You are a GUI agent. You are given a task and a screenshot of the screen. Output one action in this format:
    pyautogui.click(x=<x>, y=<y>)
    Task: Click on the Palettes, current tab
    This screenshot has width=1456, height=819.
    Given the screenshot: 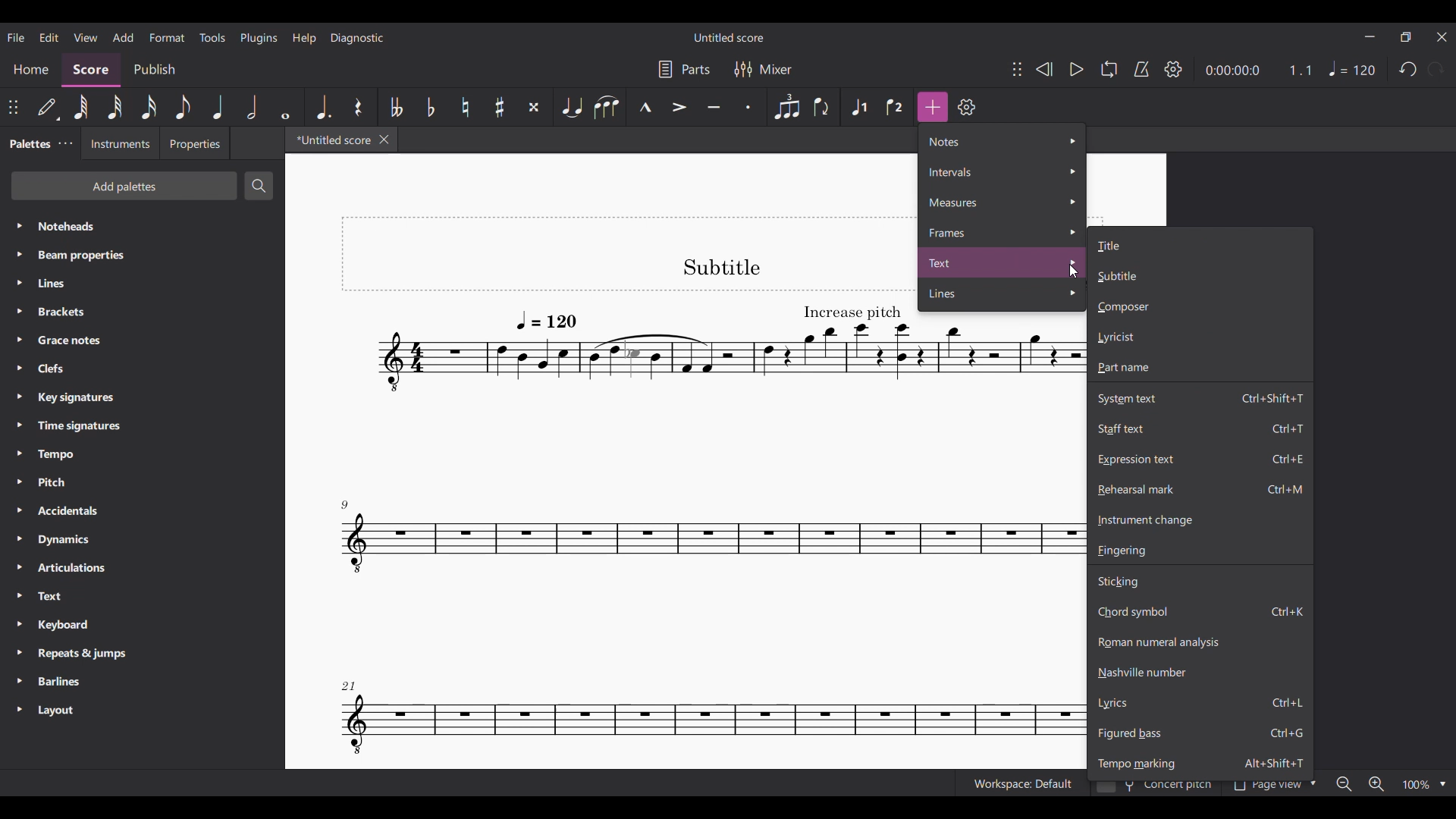 What is the action you would take?
    pyautogui.click(x=29, y=144)
    